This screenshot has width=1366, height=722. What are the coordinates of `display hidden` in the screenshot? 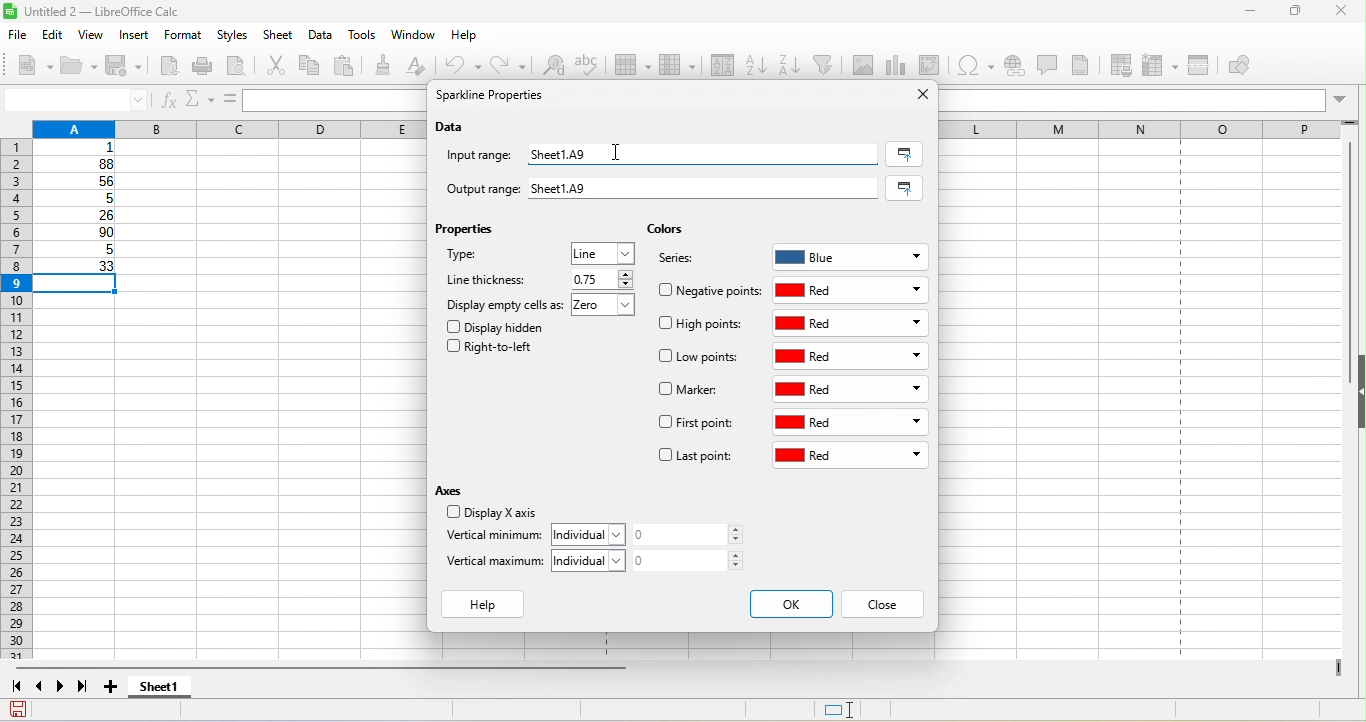 It's located at (500, 326).